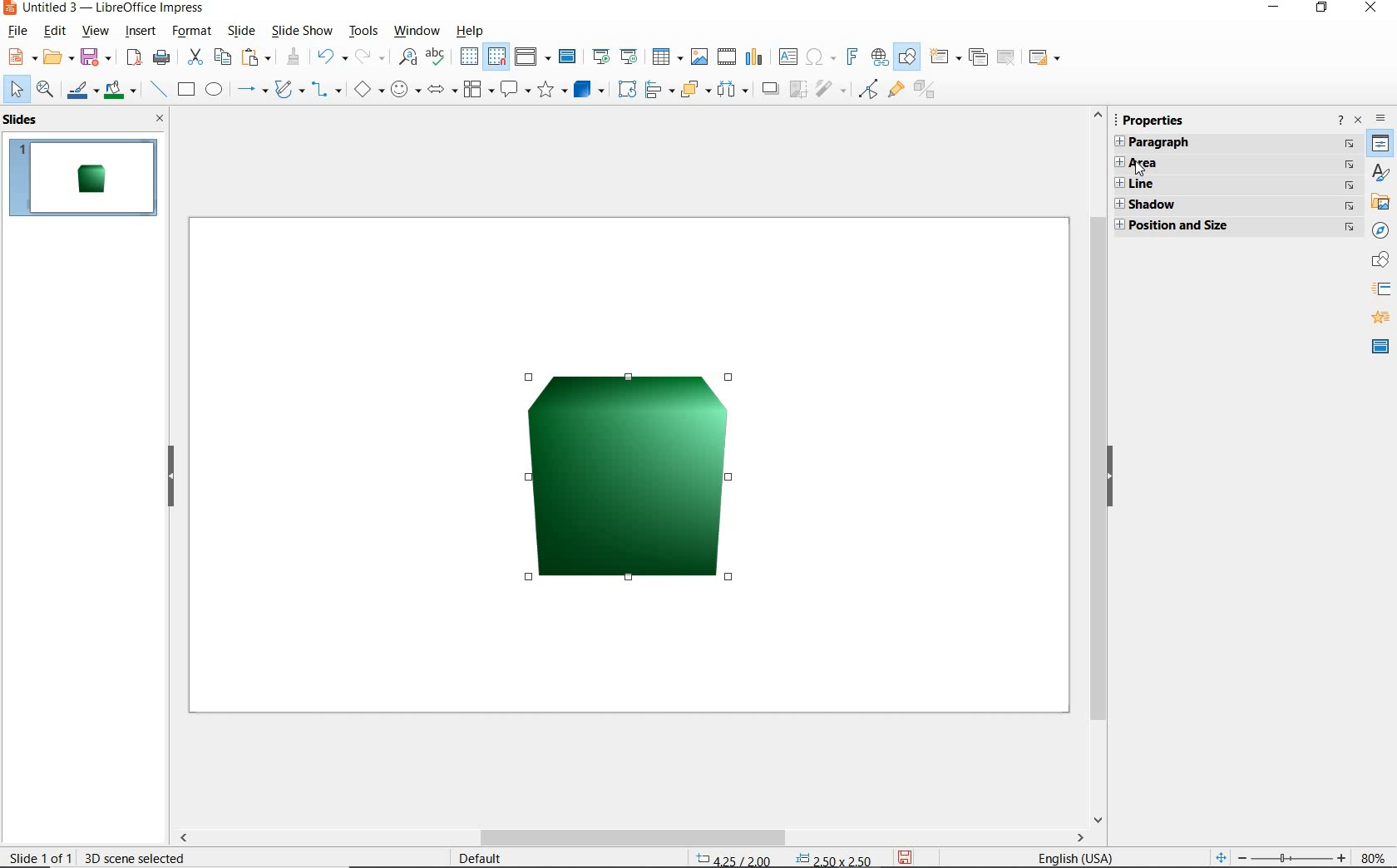 This screenshot has width=1397, height=868. I want to click on find and replace, so click(406, 57).